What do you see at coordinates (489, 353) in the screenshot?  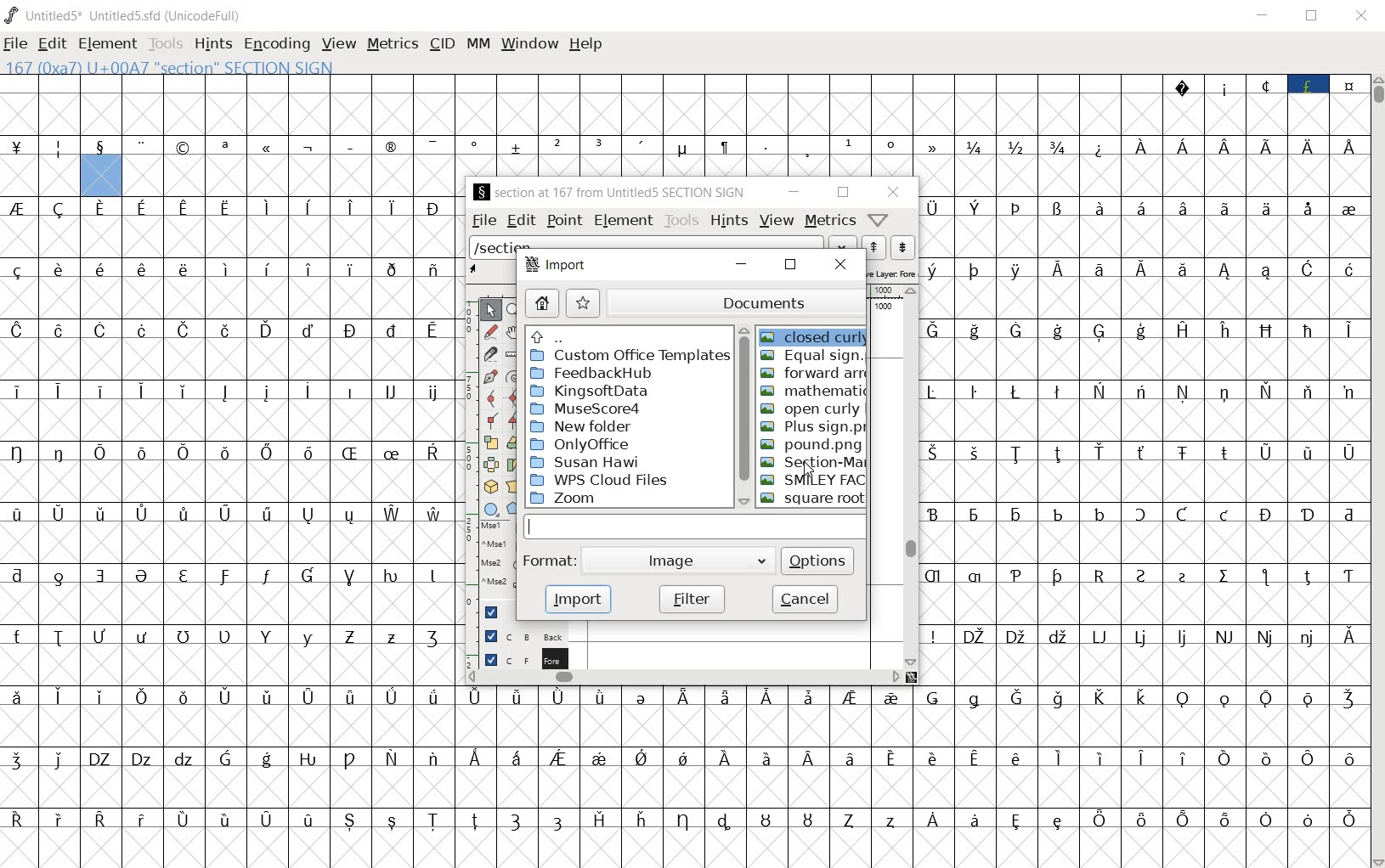 I see `cut splines in two` at bounding box center [489, 353].